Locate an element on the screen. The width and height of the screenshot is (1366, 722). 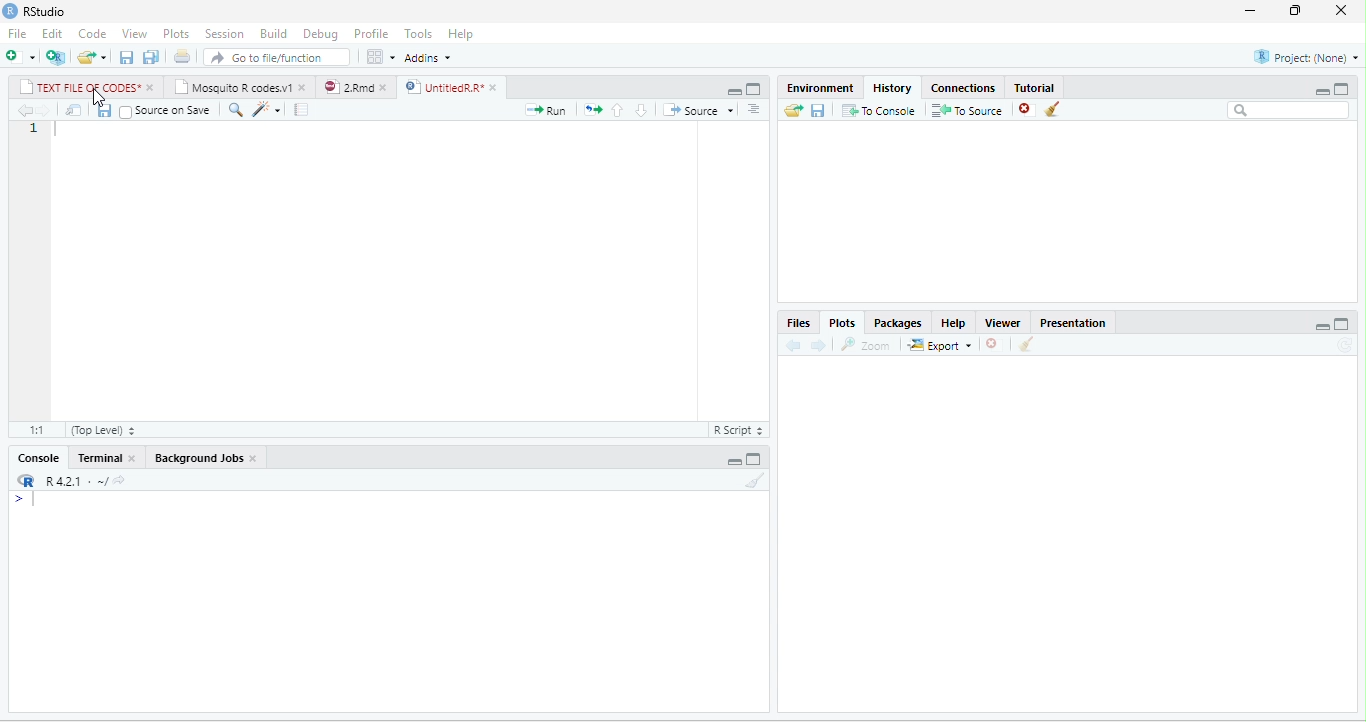
options is located at coordinates (754, 109).